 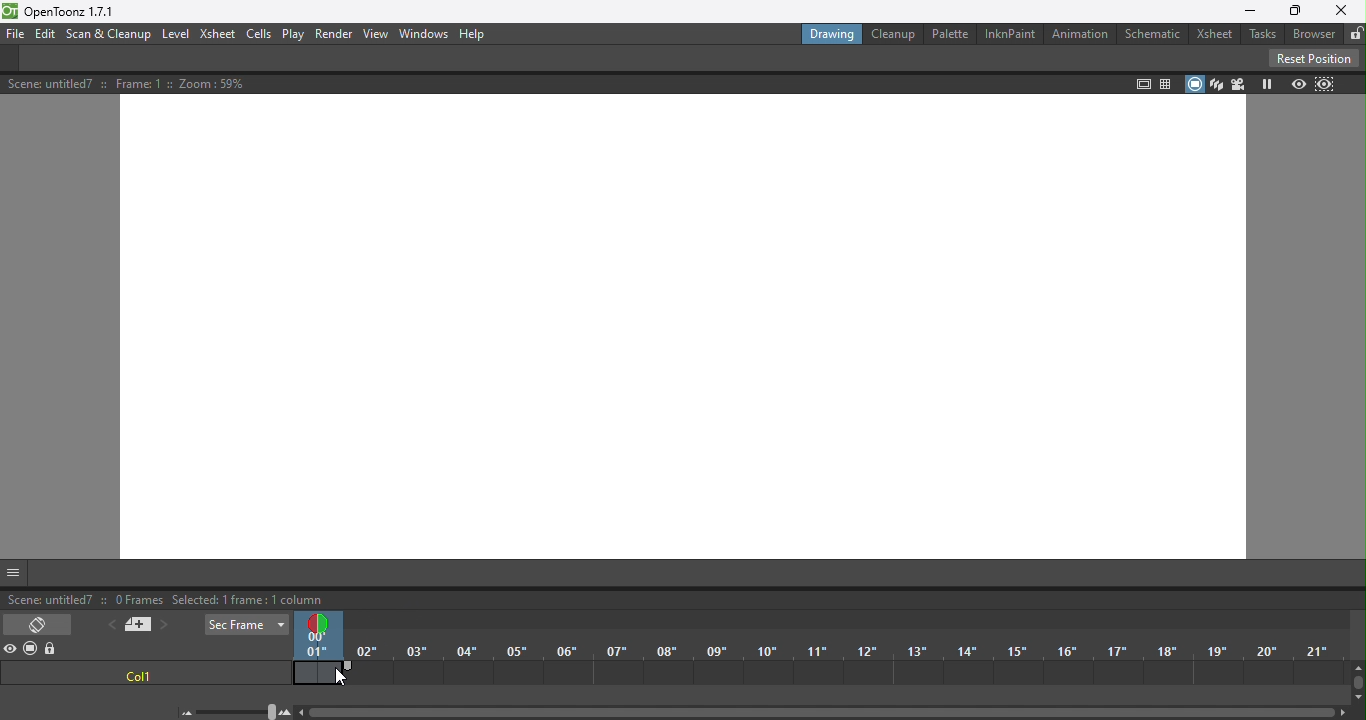 What do you see at coordinates (334, 677) in the screenshot?
I see `Cursor` at bounding box center [334, 677].